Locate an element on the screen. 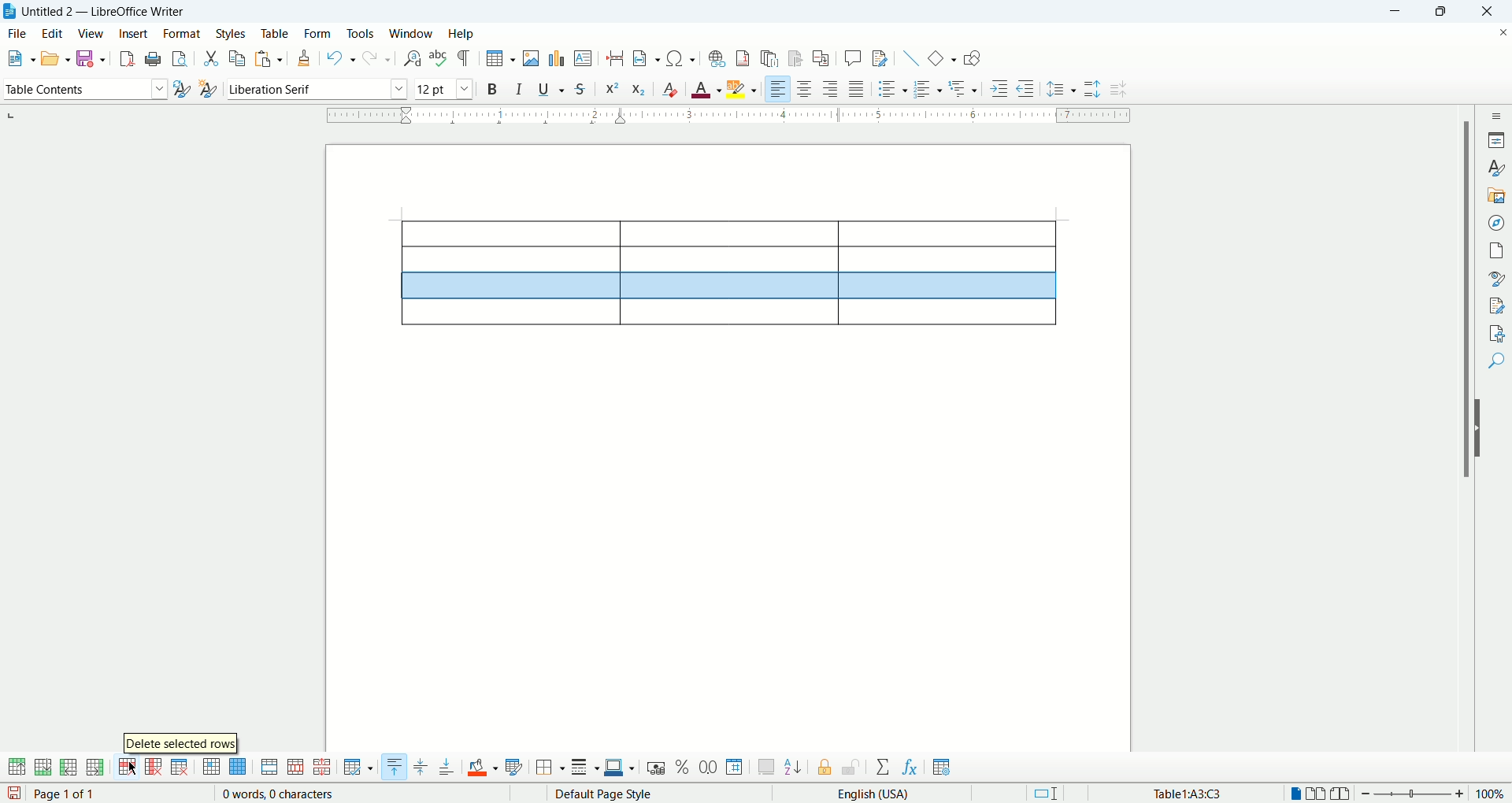 This screenshot has width=1512, height=803. titled 2 — LibreOffice Writer is located at coordinates (111, 11).